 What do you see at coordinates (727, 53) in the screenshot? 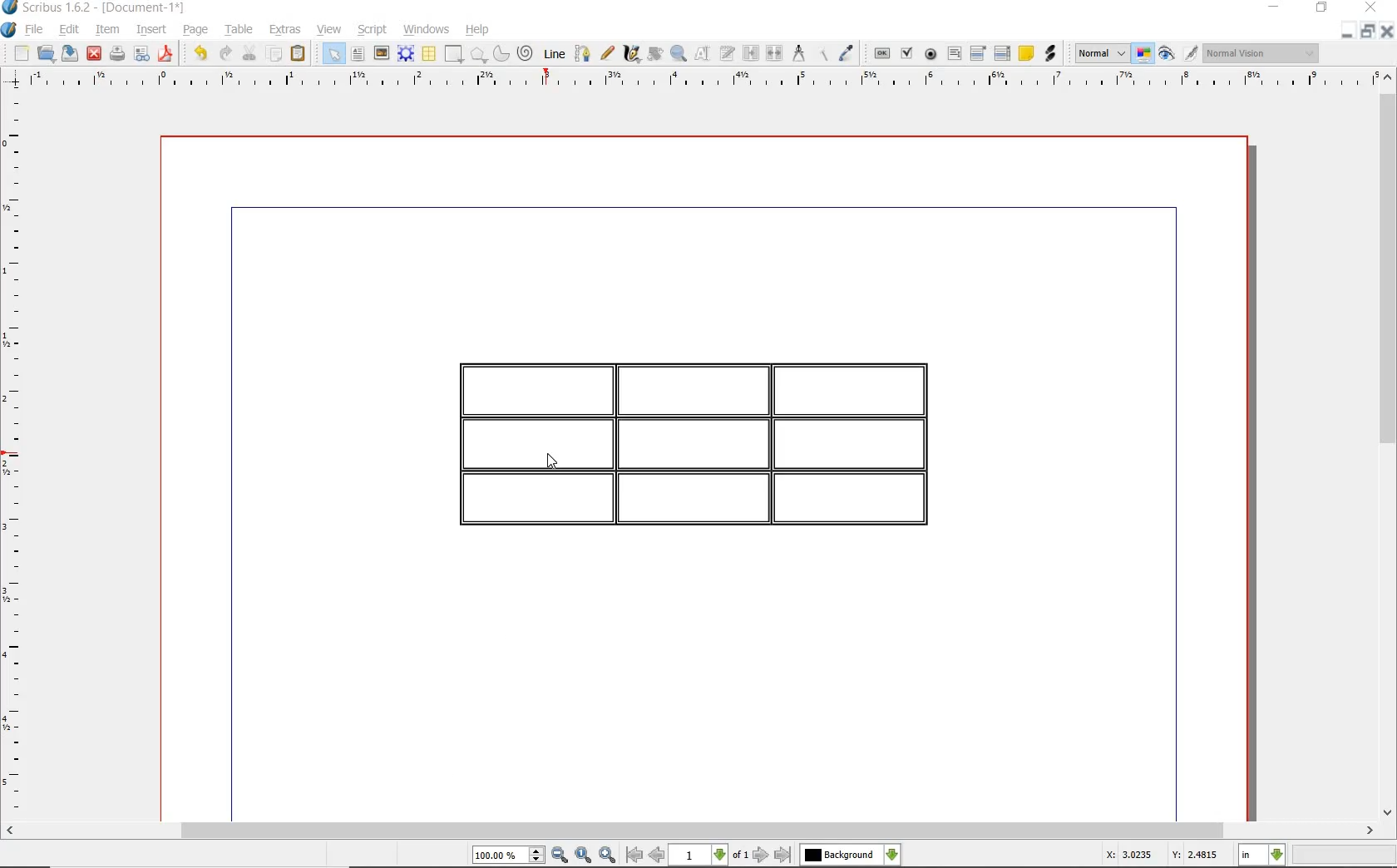
I see `edit text with story editor` at bounding box center [727, 53].